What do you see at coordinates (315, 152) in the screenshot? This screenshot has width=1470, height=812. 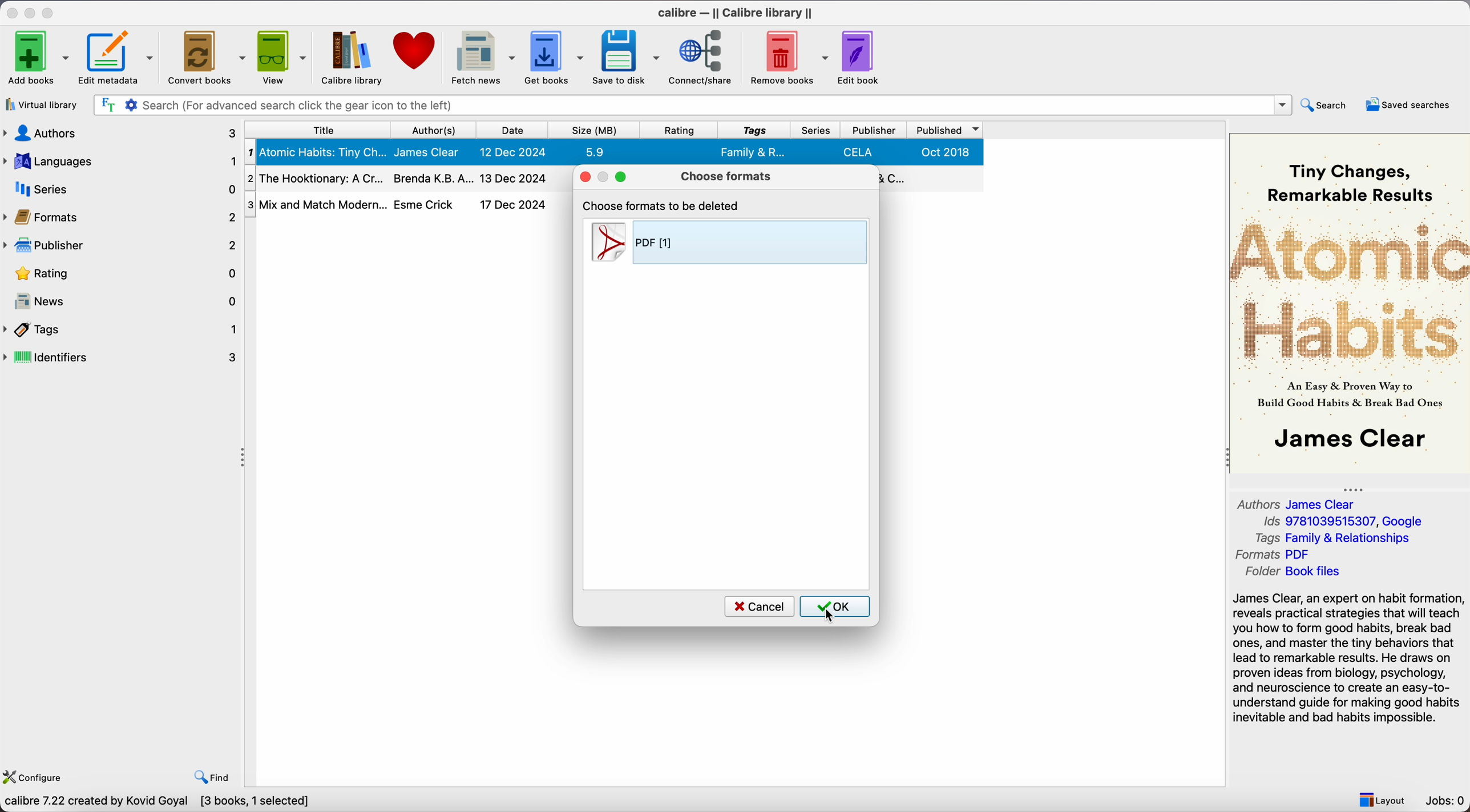 I see `Atomic Habits: Tiny Ch...` at bounding box center [315, 152].